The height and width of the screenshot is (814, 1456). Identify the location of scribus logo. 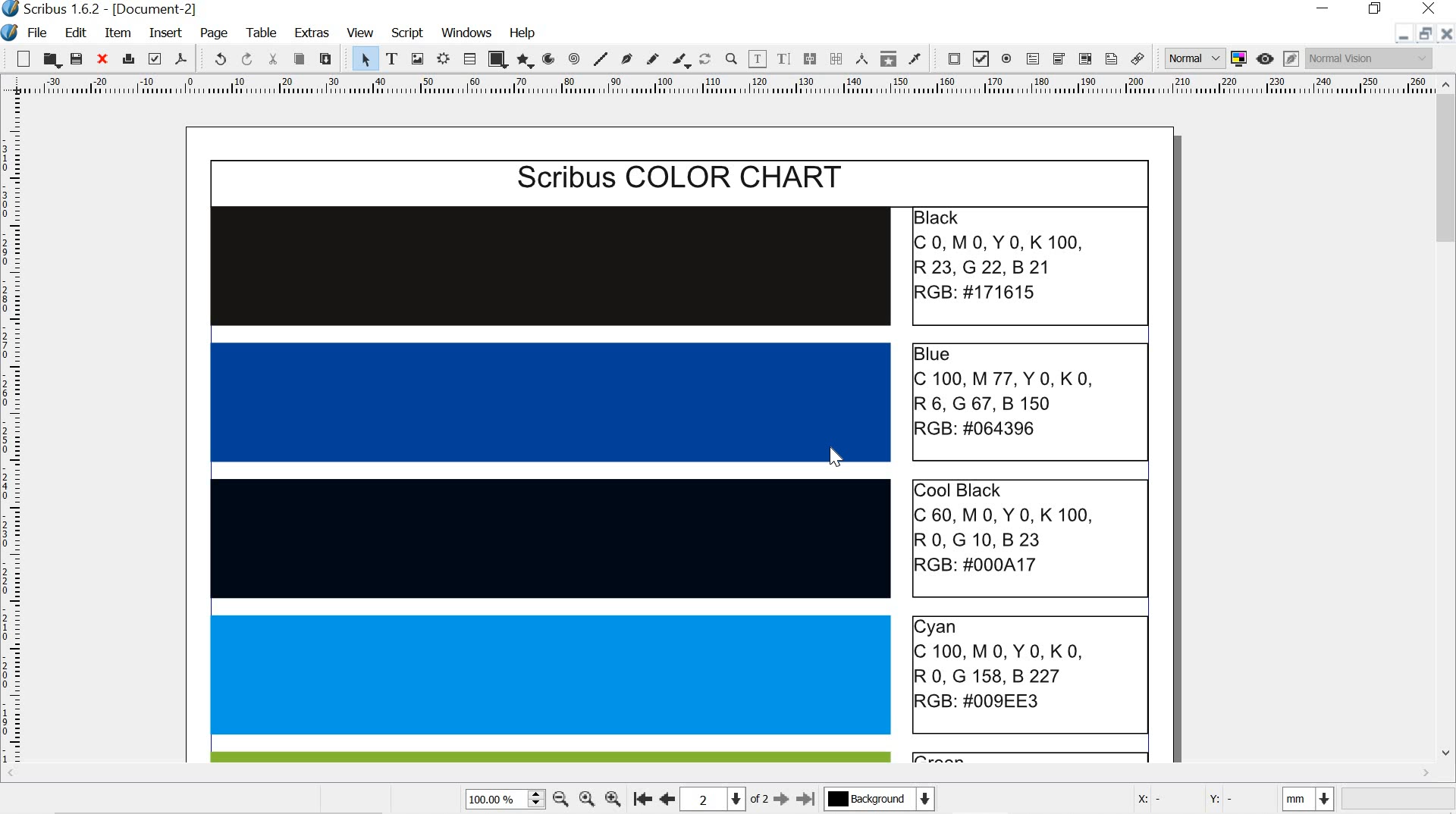
(11, 10).